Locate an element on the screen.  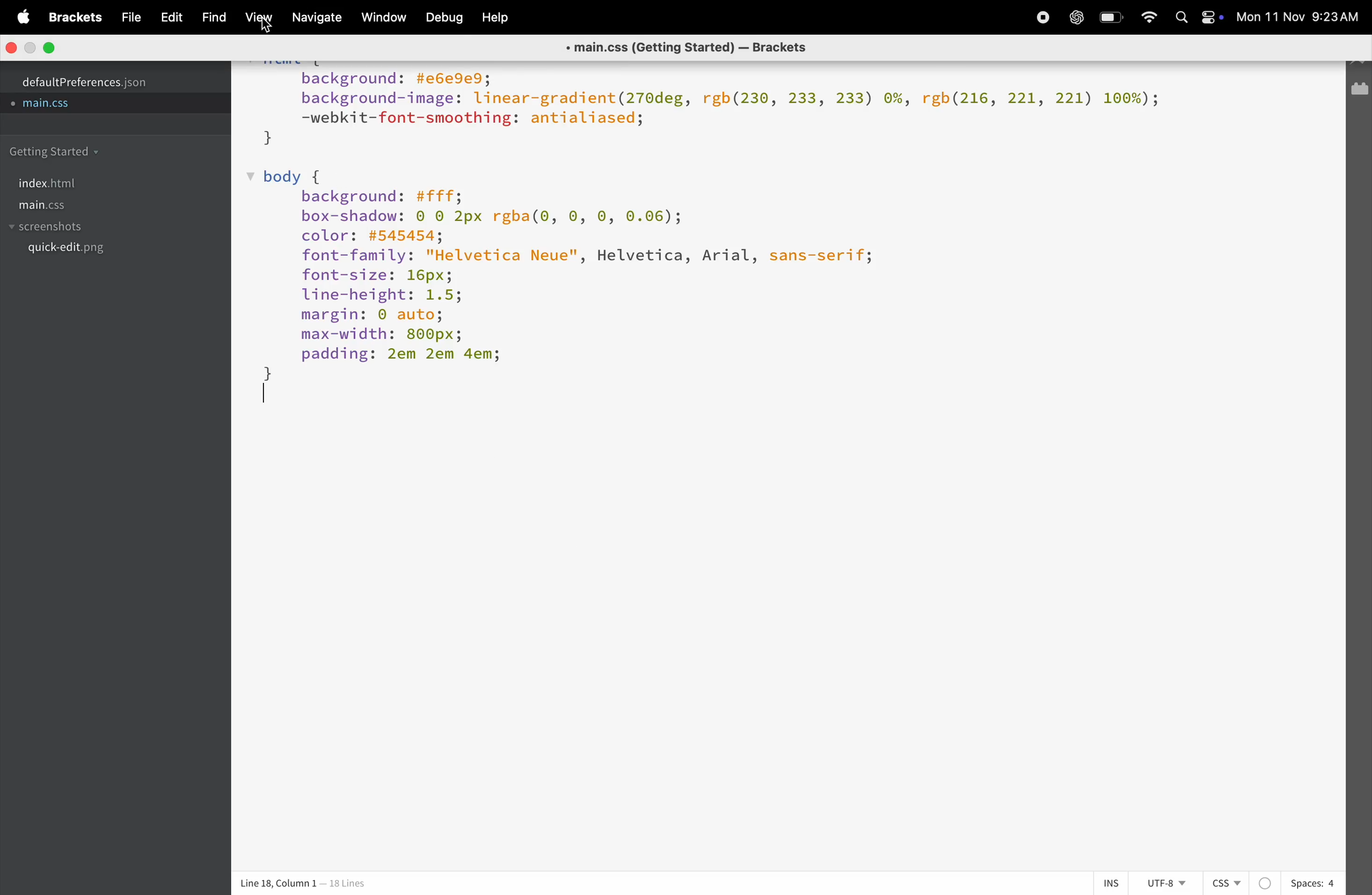
maximize is located at coordinates (50, 47).